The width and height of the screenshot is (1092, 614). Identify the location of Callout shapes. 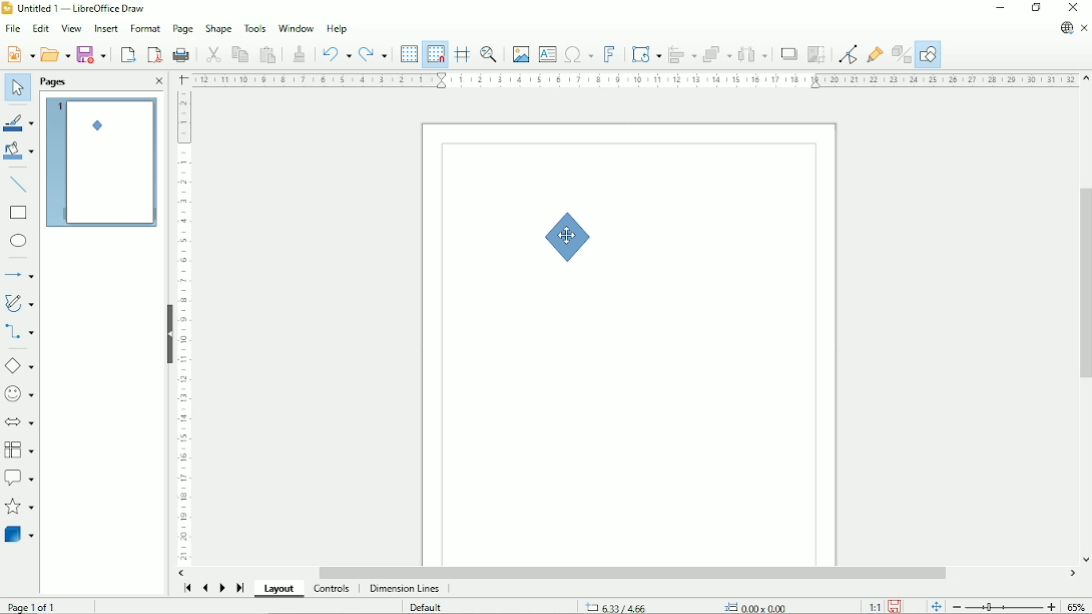
(20, 478).